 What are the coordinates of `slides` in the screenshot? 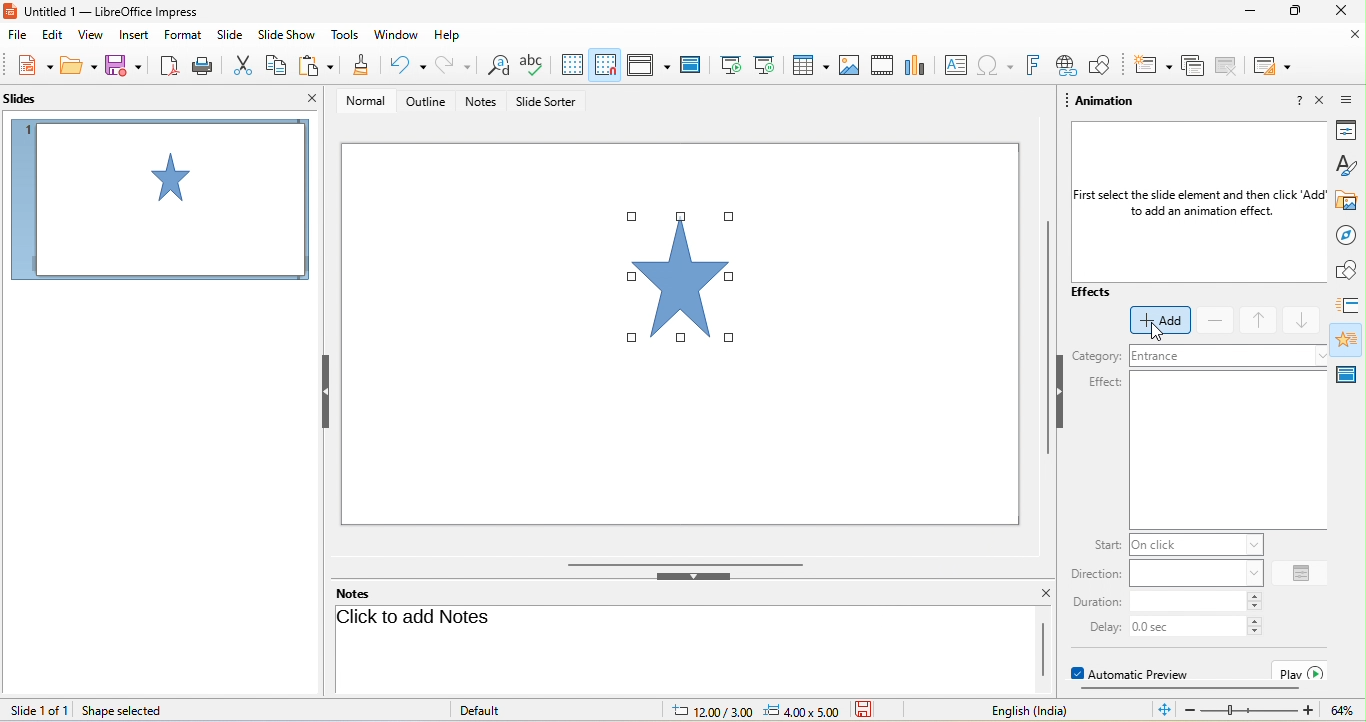 It's located at (32, 98).